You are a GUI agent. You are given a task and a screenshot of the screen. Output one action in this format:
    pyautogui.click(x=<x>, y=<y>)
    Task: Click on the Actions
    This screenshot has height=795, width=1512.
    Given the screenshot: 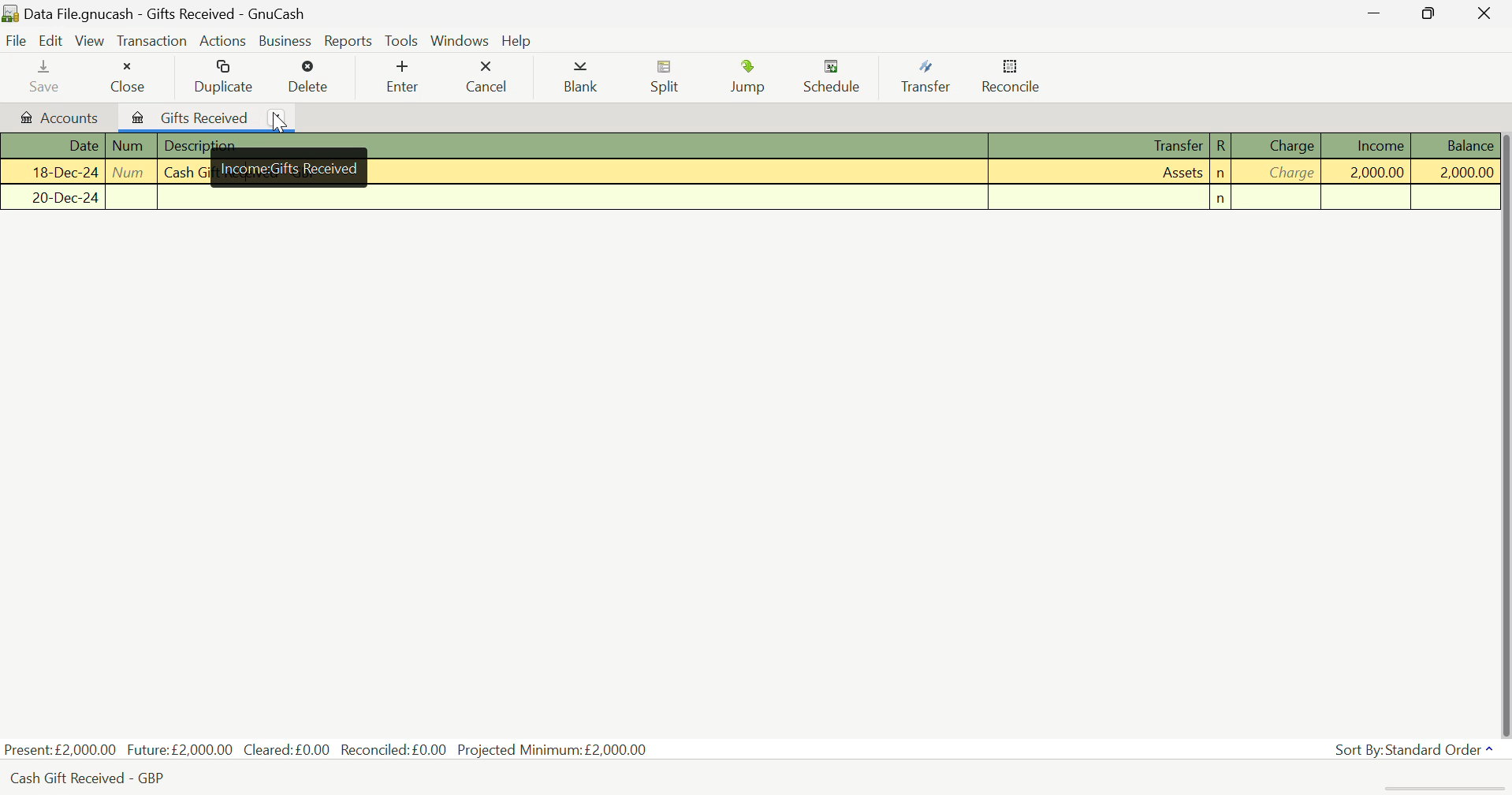 What is the action you would take?
    pyautogui.click(x=222, y=40)
    